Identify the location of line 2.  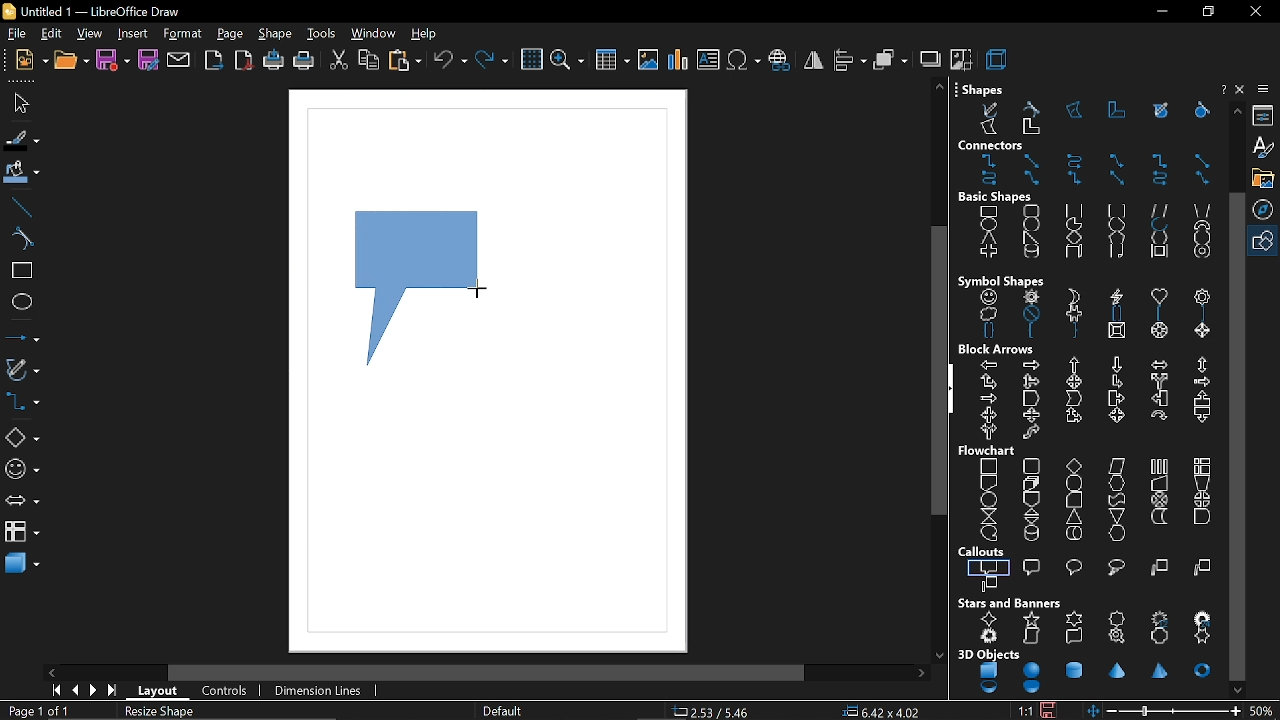
(1203, 569).